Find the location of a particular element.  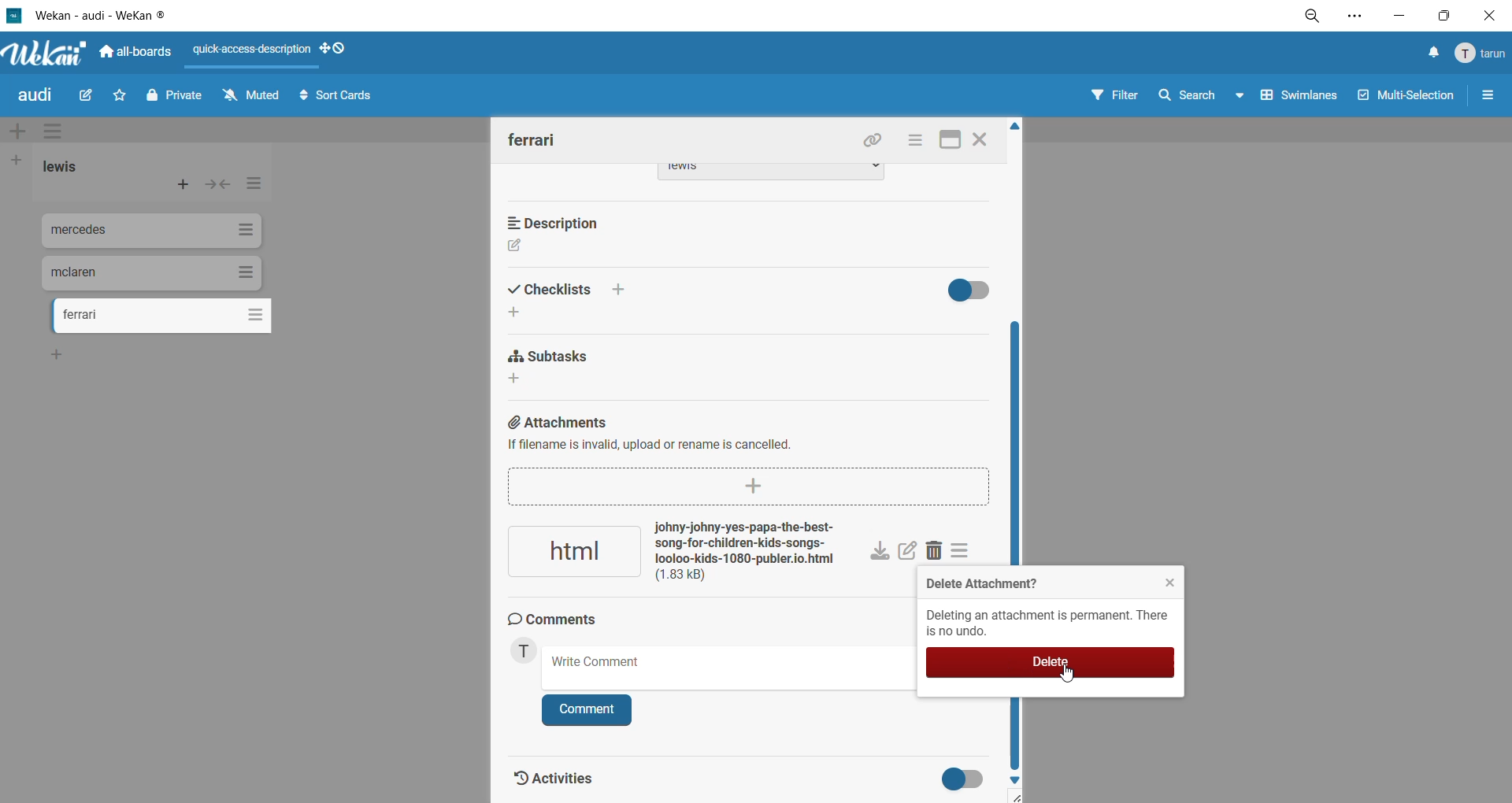

cursor is located at coordinates (1072, 675).